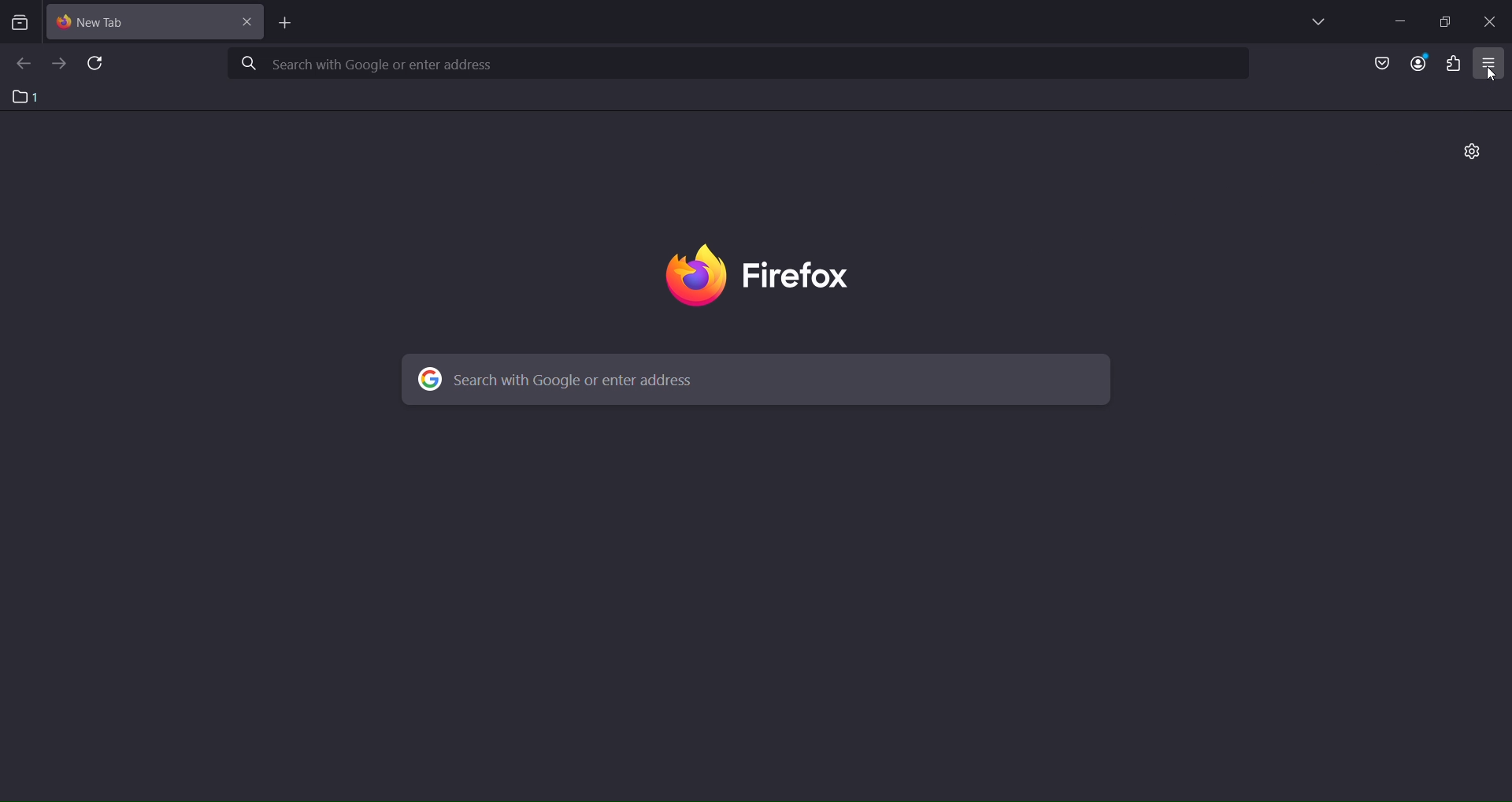 The image size is (1512, 802). I want to click on minimze, so click(1398, 20).